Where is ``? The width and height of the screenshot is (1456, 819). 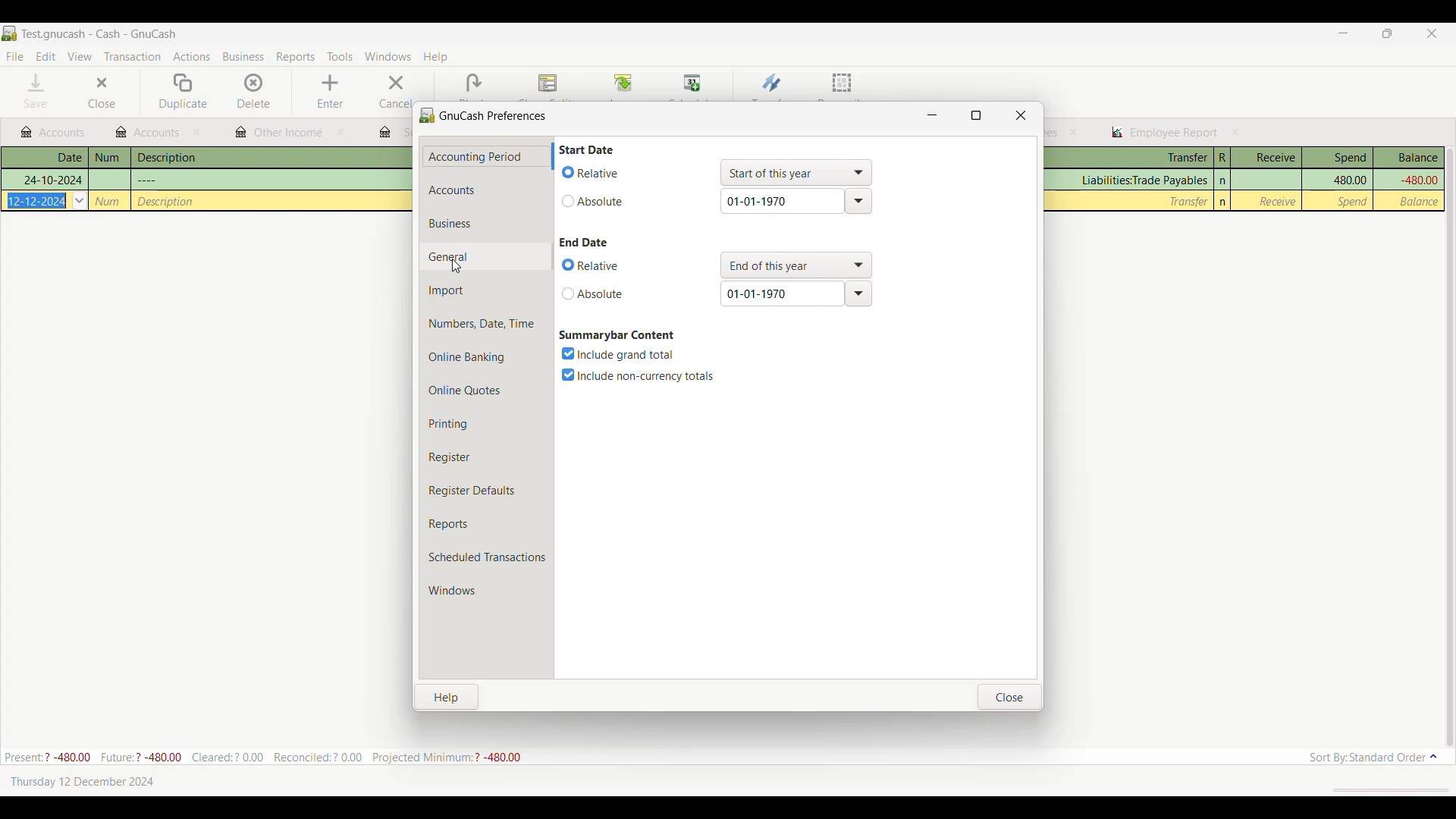  is located at coordinates (148, 179).